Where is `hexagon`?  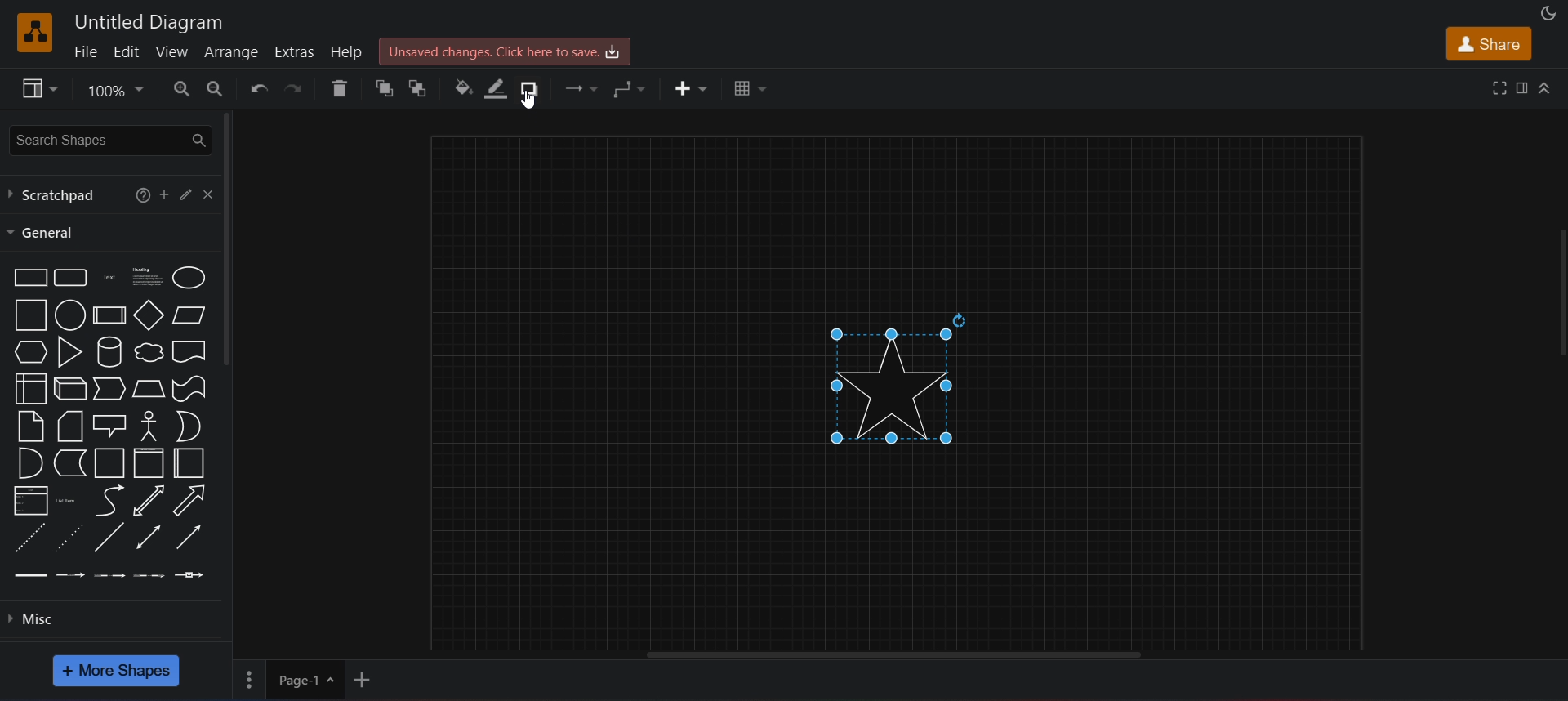 hexagon is located at coordinates (27, 350).